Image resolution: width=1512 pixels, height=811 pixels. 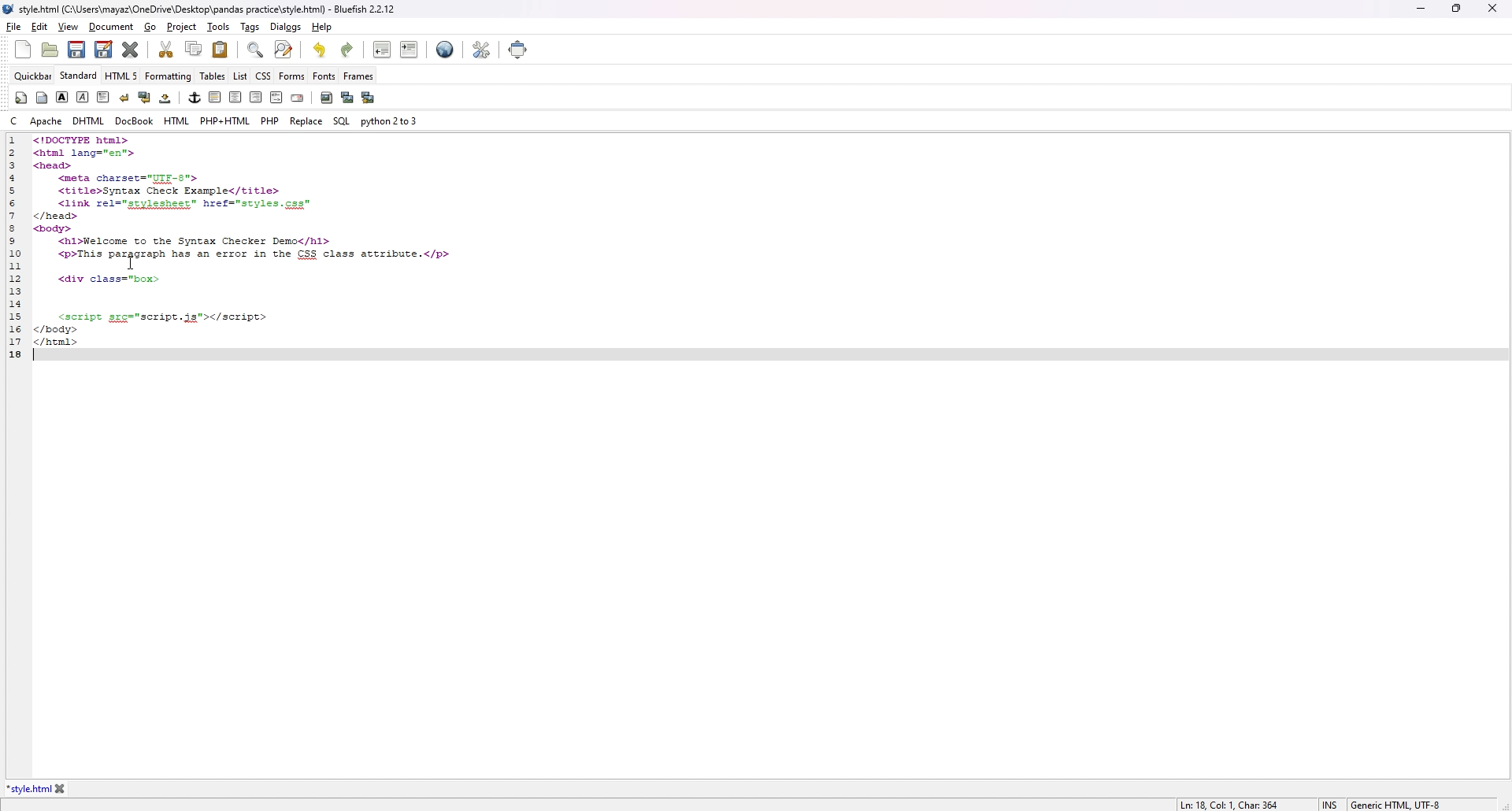 What do you see at coordinates (143, 97) in the screenshot?
I see `break and clear` at bounding box center [143, 97].